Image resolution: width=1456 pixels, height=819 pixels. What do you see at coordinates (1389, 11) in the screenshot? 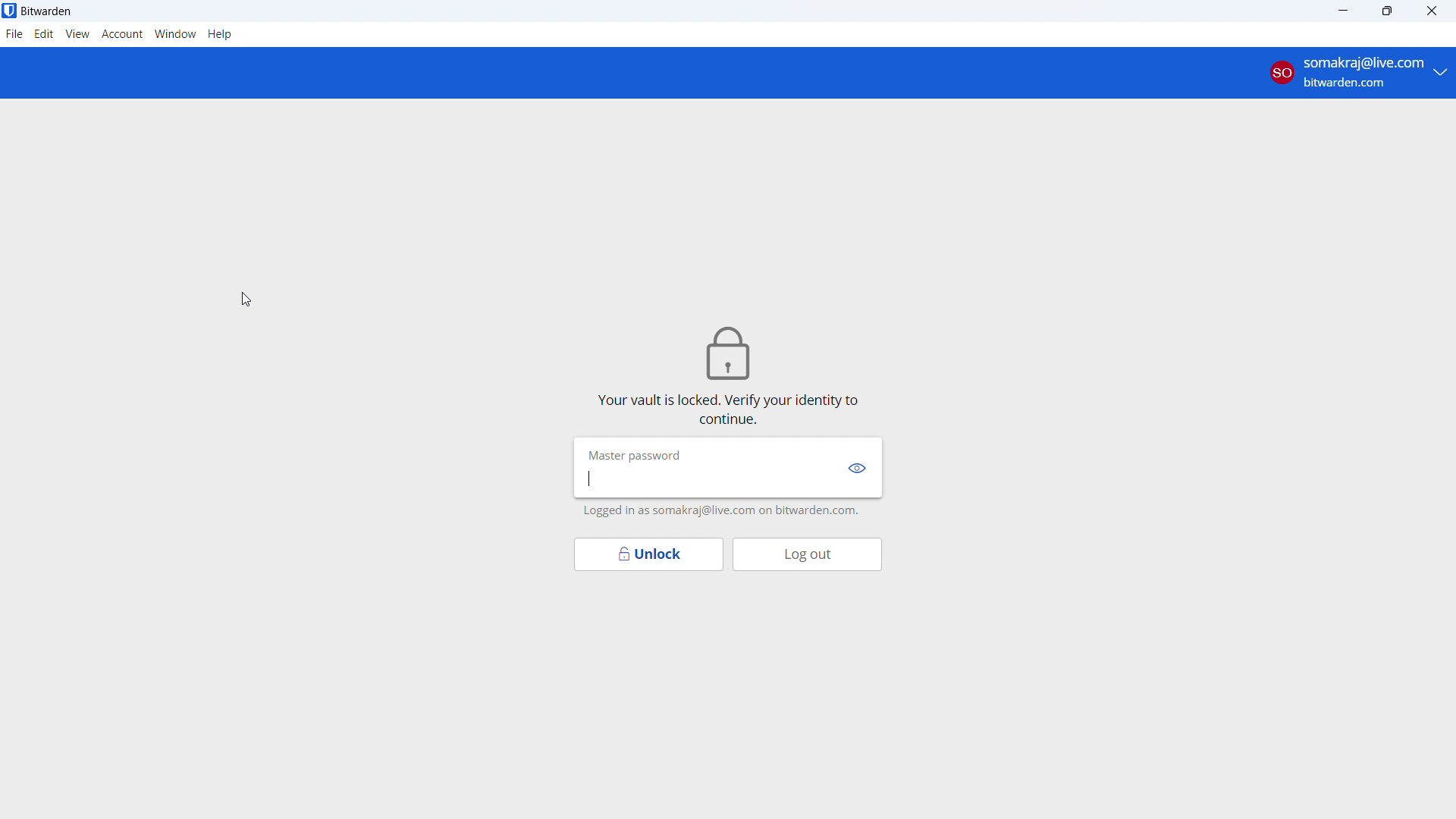
I see `maximize` at bounding box center [1389, 11].